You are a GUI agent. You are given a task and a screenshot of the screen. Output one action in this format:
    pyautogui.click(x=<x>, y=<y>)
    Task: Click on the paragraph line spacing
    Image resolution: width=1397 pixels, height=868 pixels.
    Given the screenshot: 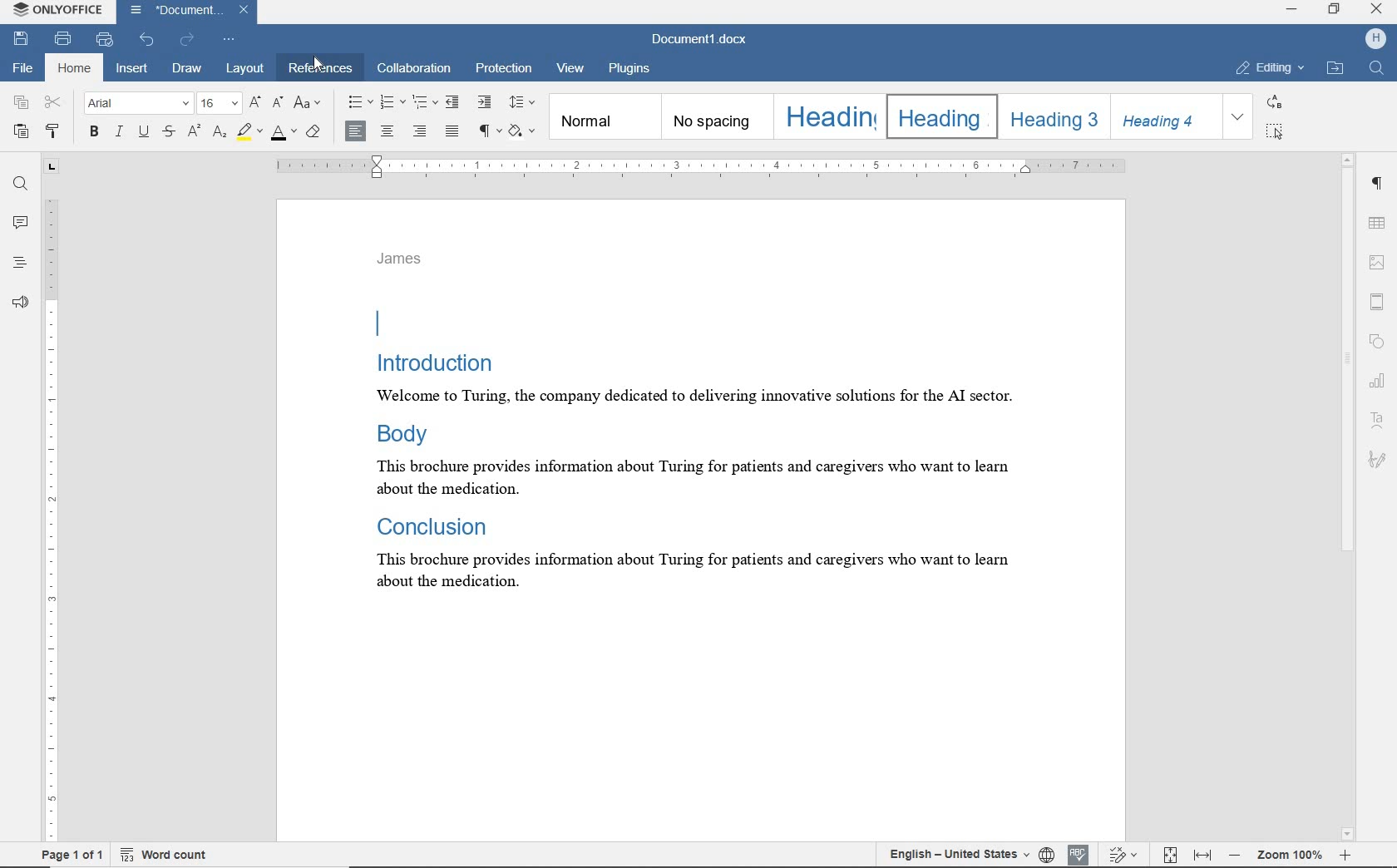 What is the action you would take?
    pyautogui.click(x=521, y=104)
    